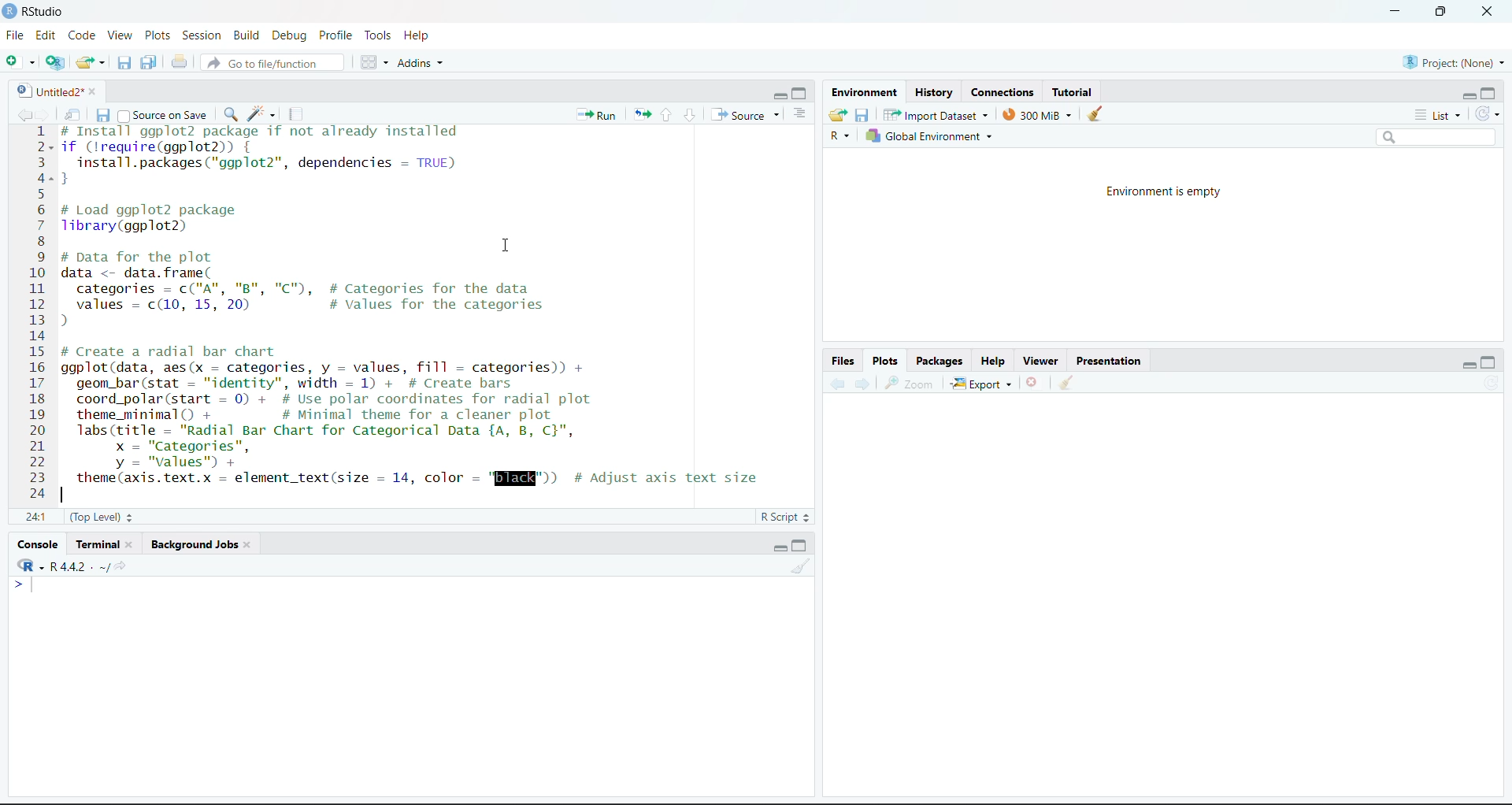 The height and width of the screenshot is (805, 1512). I want to click on Terminal, so click(103, 545).